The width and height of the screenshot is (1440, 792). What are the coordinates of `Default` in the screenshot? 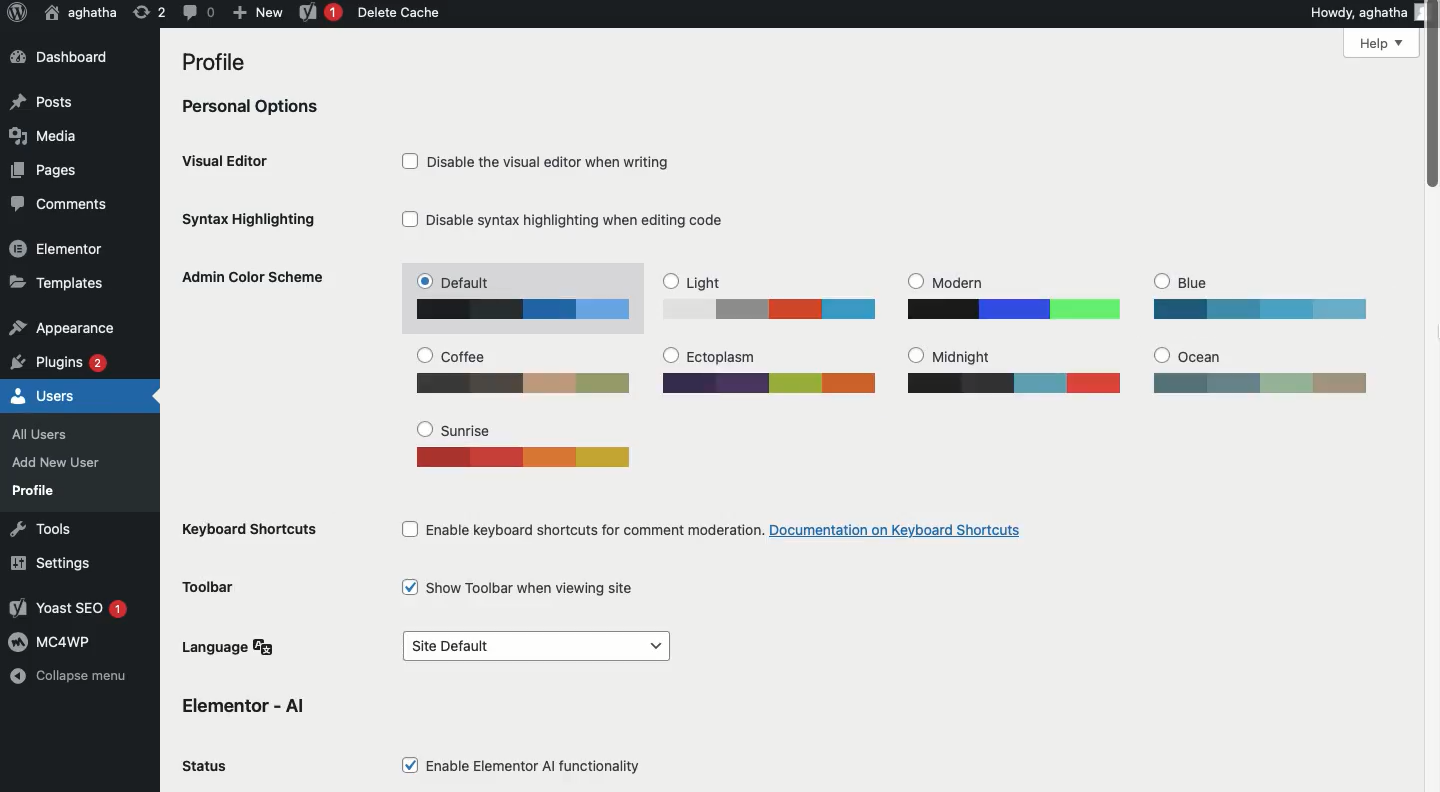 It's located at (517, 297).